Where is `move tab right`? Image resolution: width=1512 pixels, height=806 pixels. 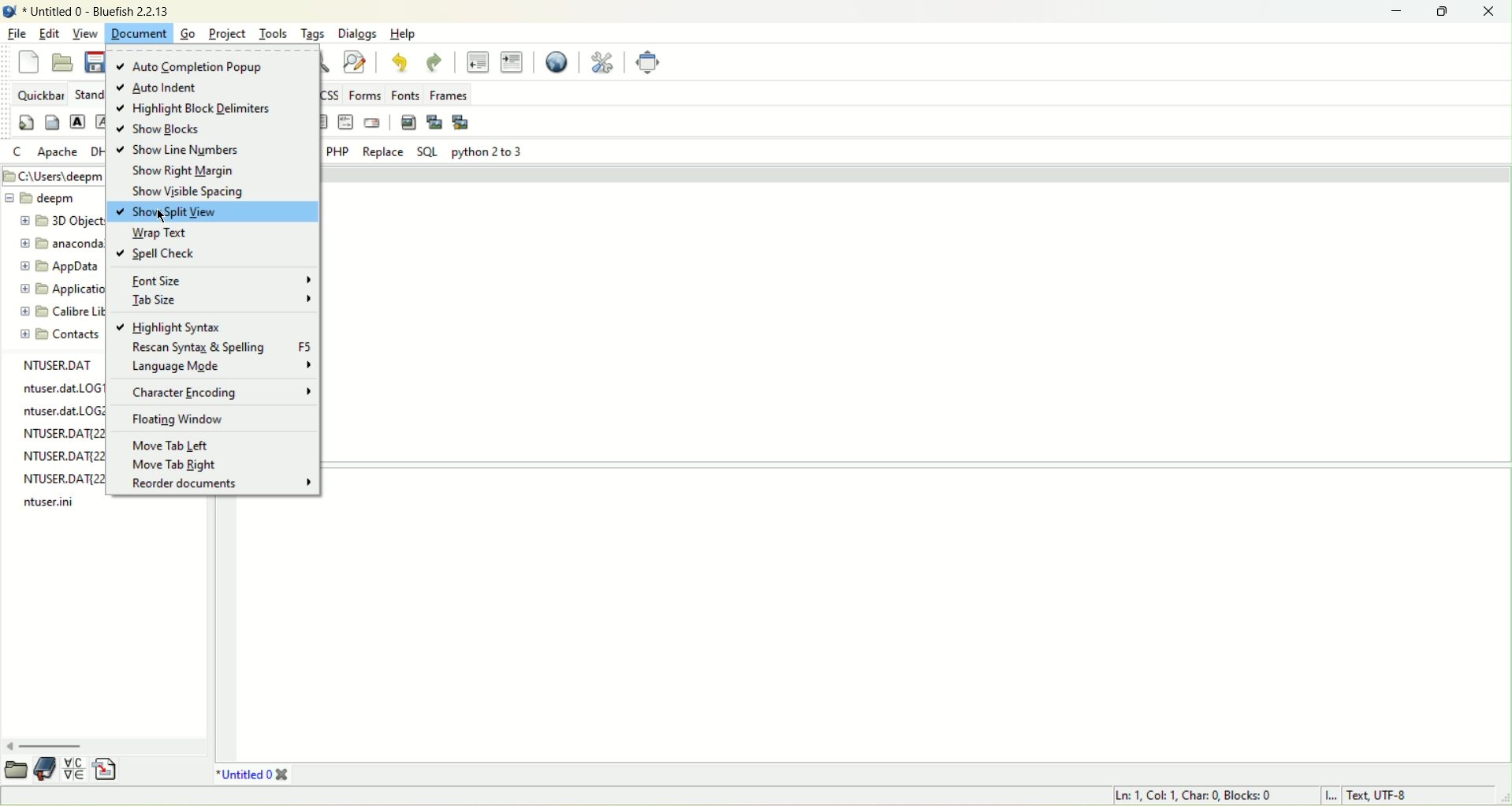 move tab right is located at coordinates (203, 465).